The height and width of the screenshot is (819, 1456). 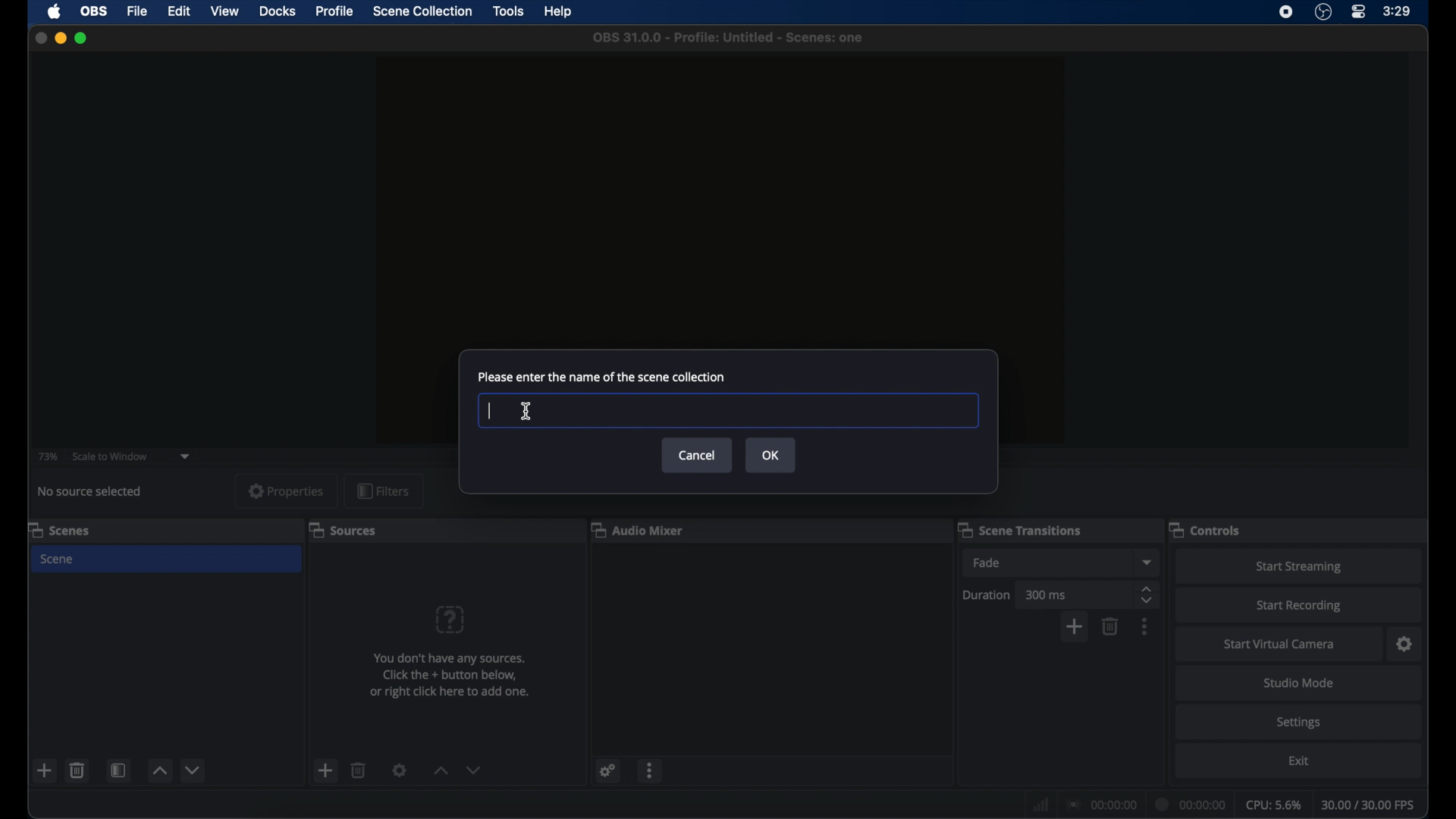 What do you see at coordinates (1301, 606) in the screenshot?
I see `start recording` at bounding box center [1301, 606].